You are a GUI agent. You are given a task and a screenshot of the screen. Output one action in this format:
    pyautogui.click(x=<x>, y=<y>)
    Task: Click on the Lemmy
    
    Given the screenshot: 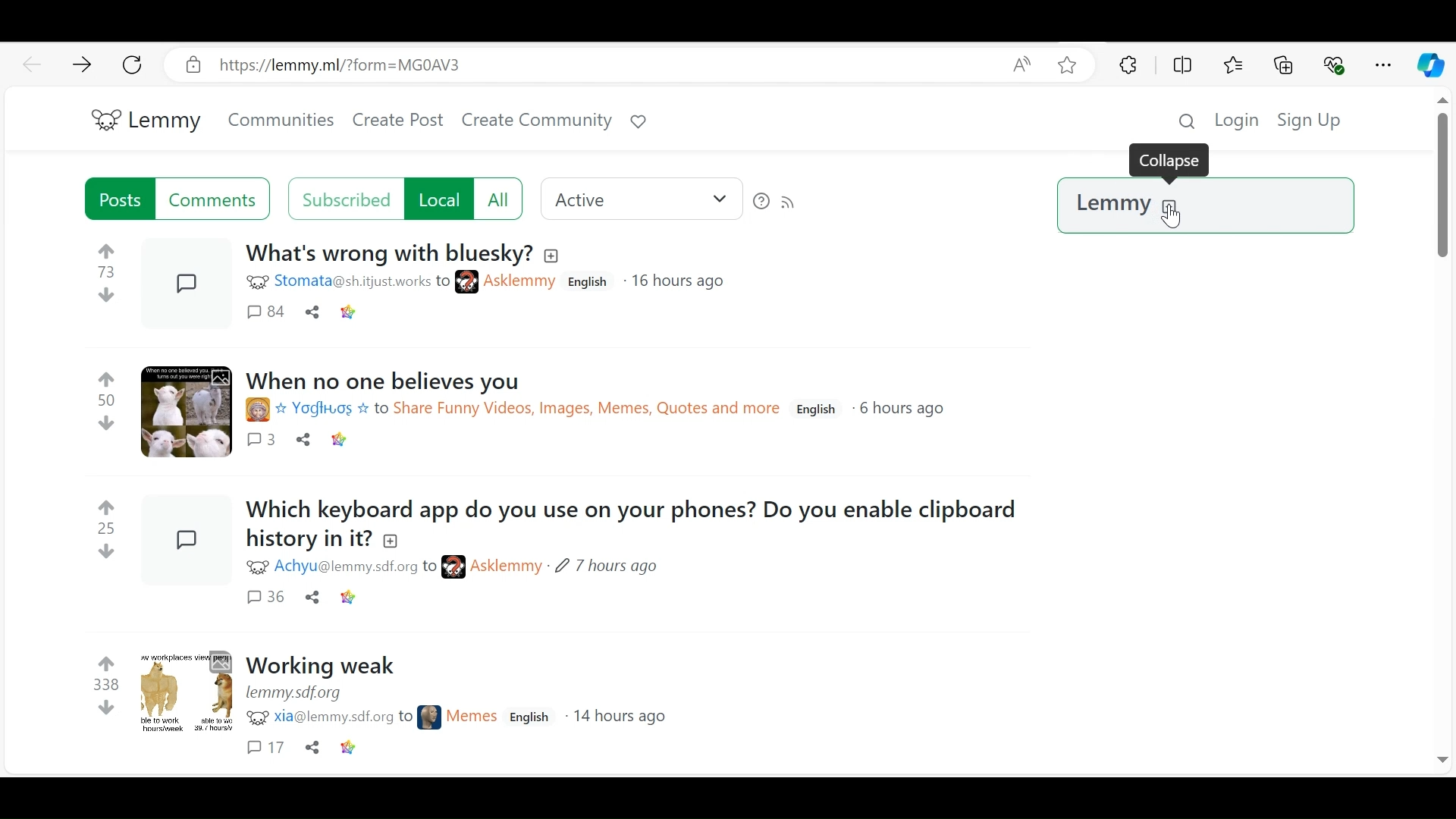 What is the action you would take?
    pyautogui.click(x=1203, y=205)
    